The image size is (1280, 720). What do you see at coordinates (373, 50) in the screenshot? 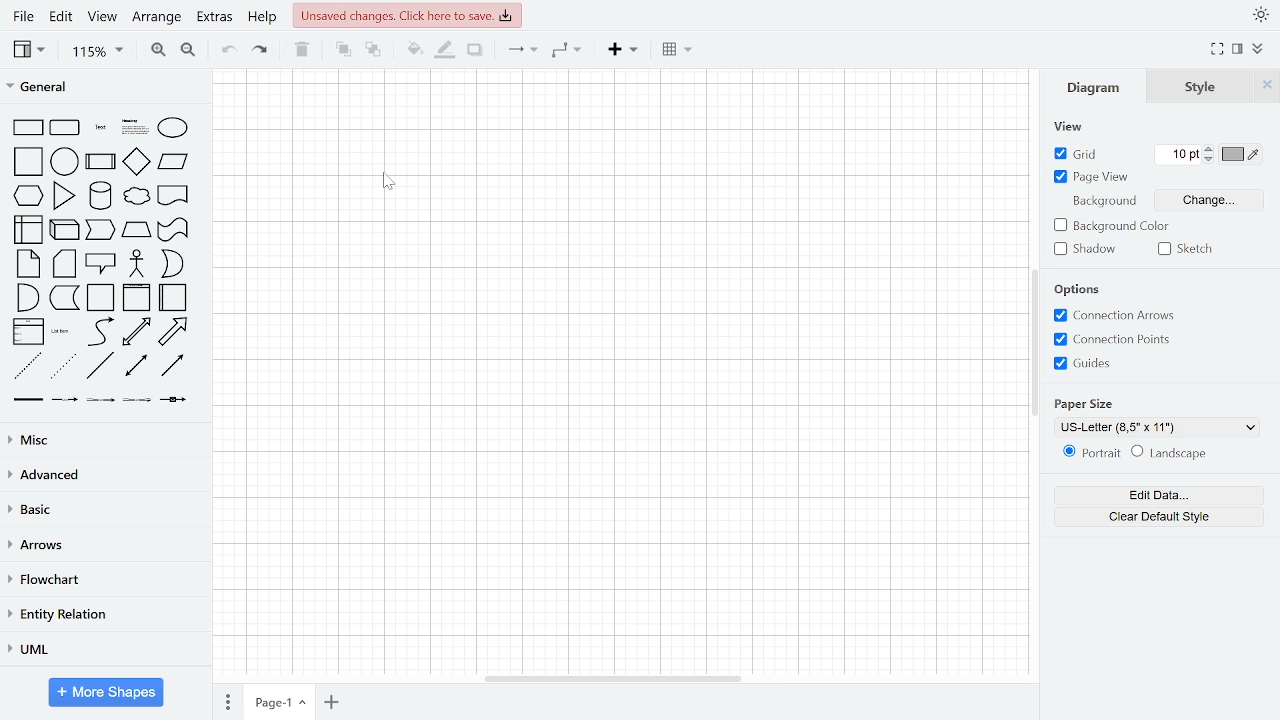
I see `to back` at bounding box center [373, 50].